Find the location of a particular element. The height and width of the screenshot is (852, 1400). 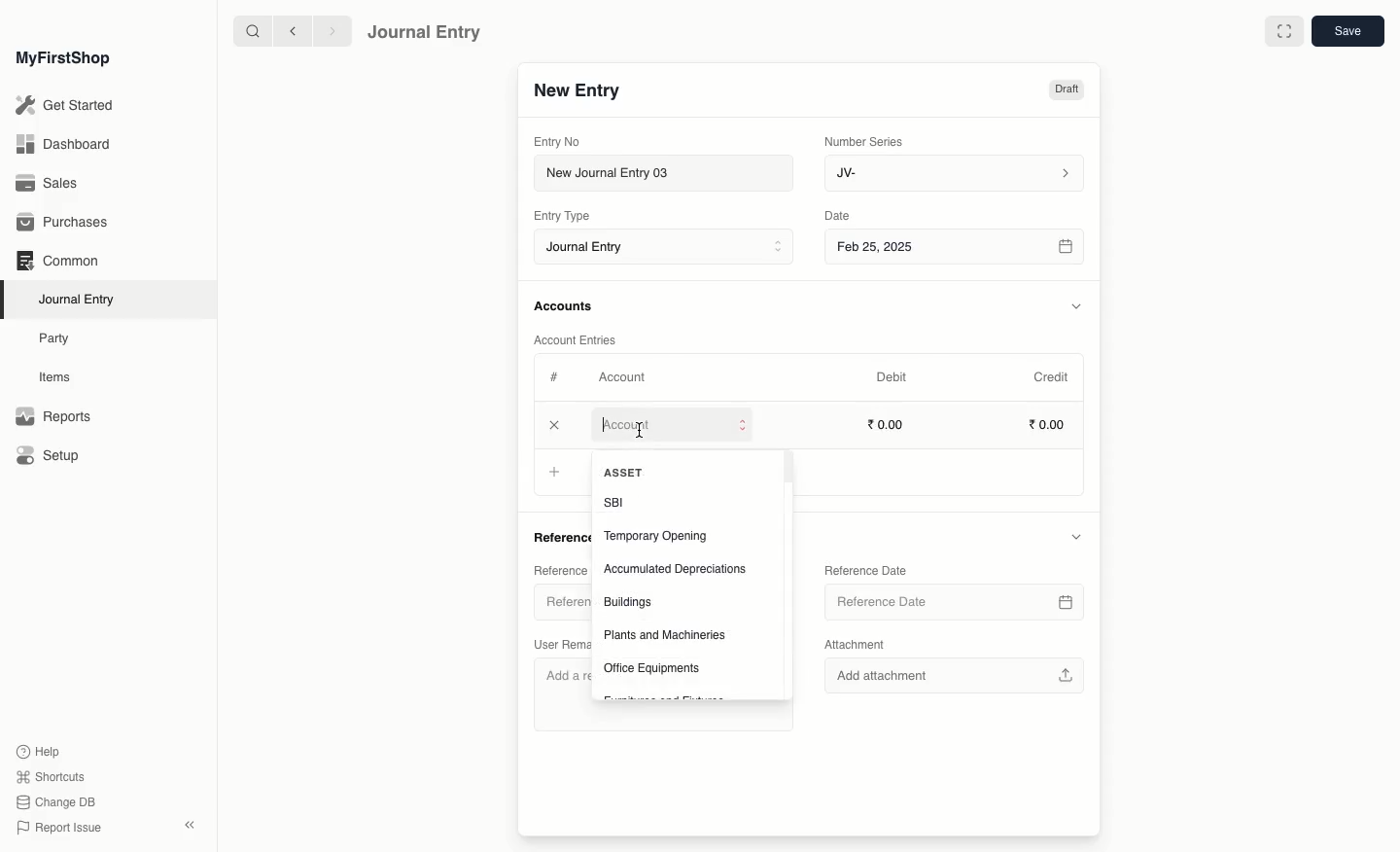

Office Equipments is located at coordinates (656, 668).